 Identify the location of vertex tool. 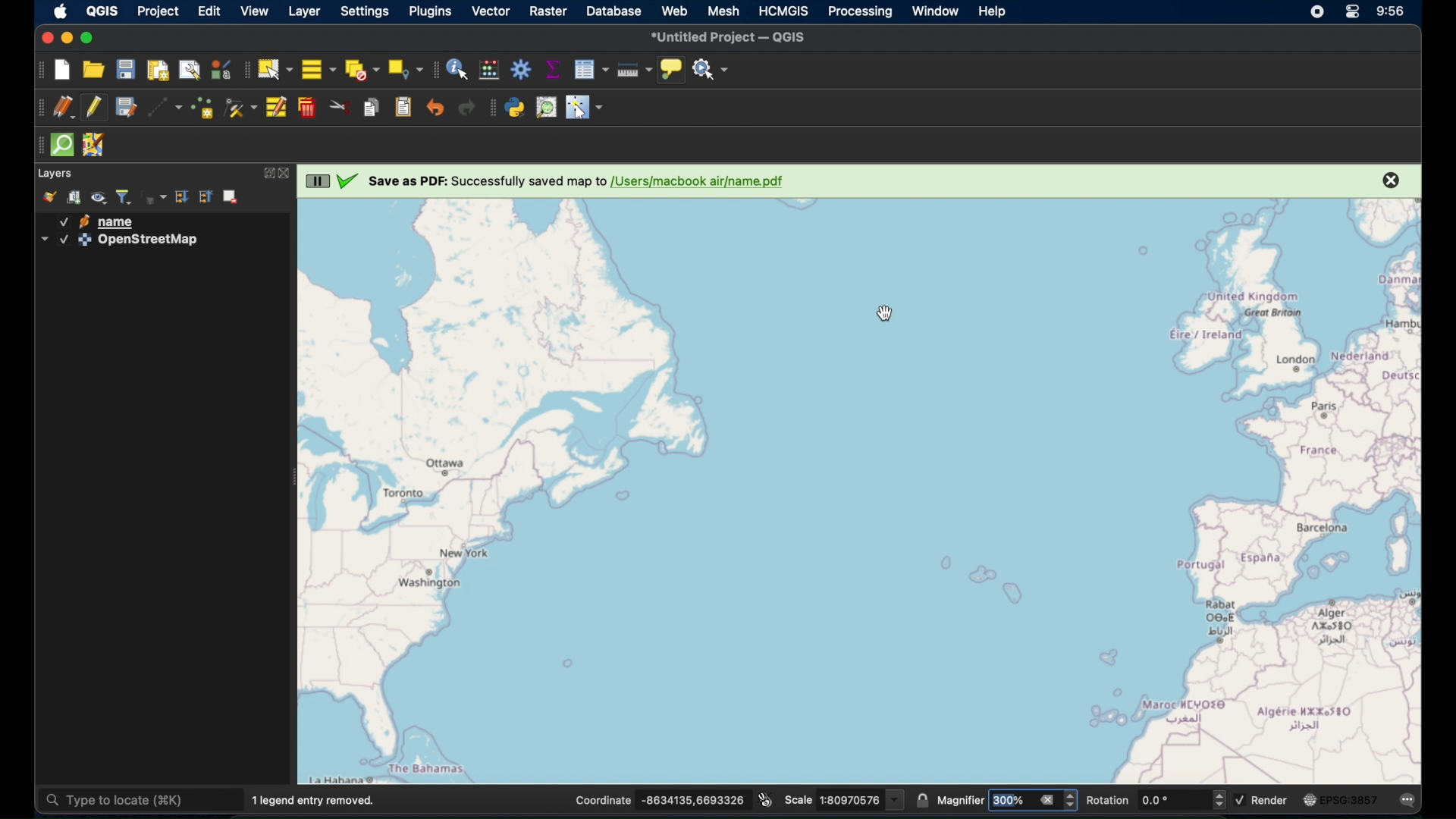
(241, 109).